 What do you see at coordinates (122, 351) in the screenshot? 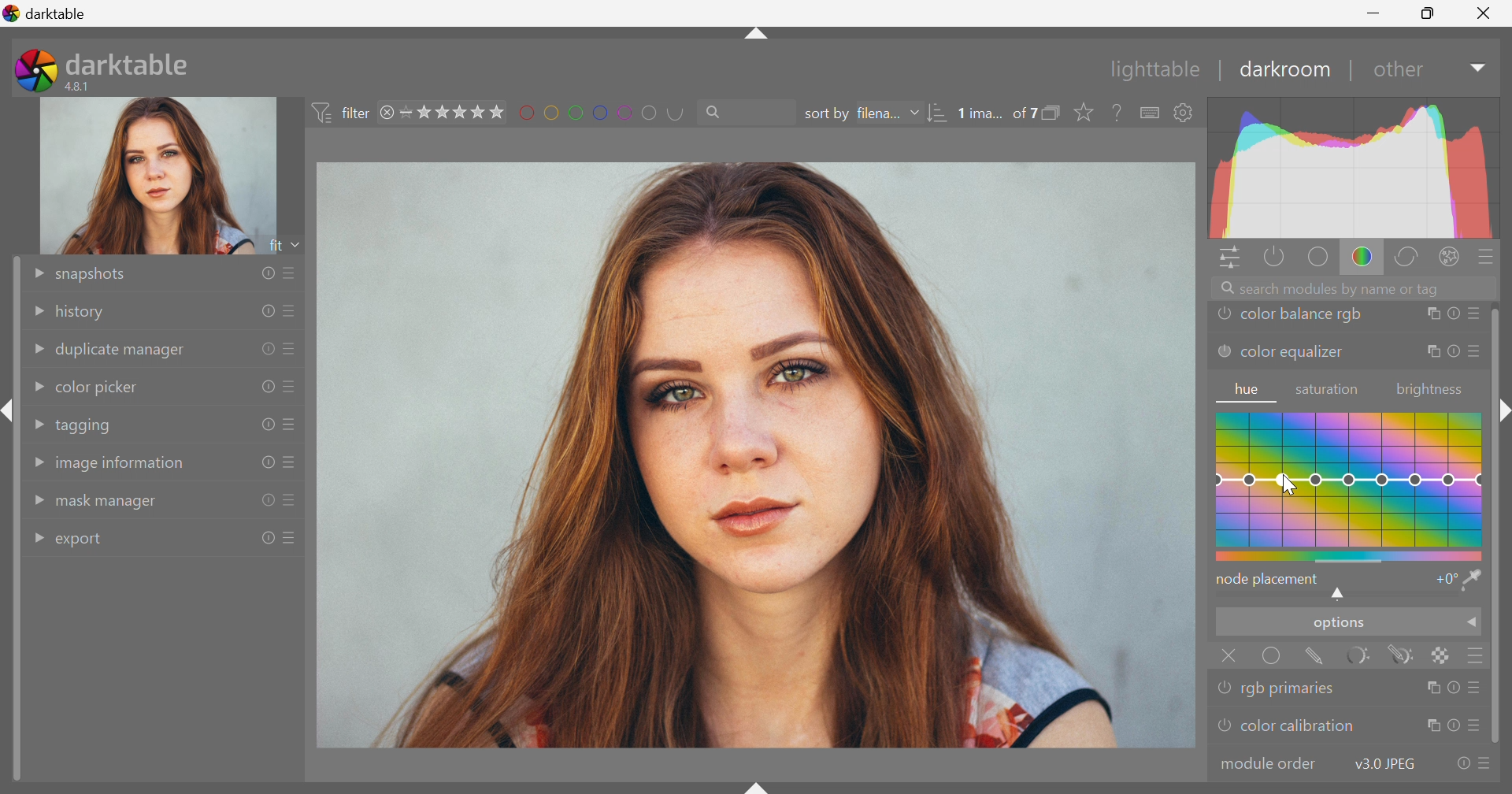
I see `duplicate manager` at bounding box center [122, 351].